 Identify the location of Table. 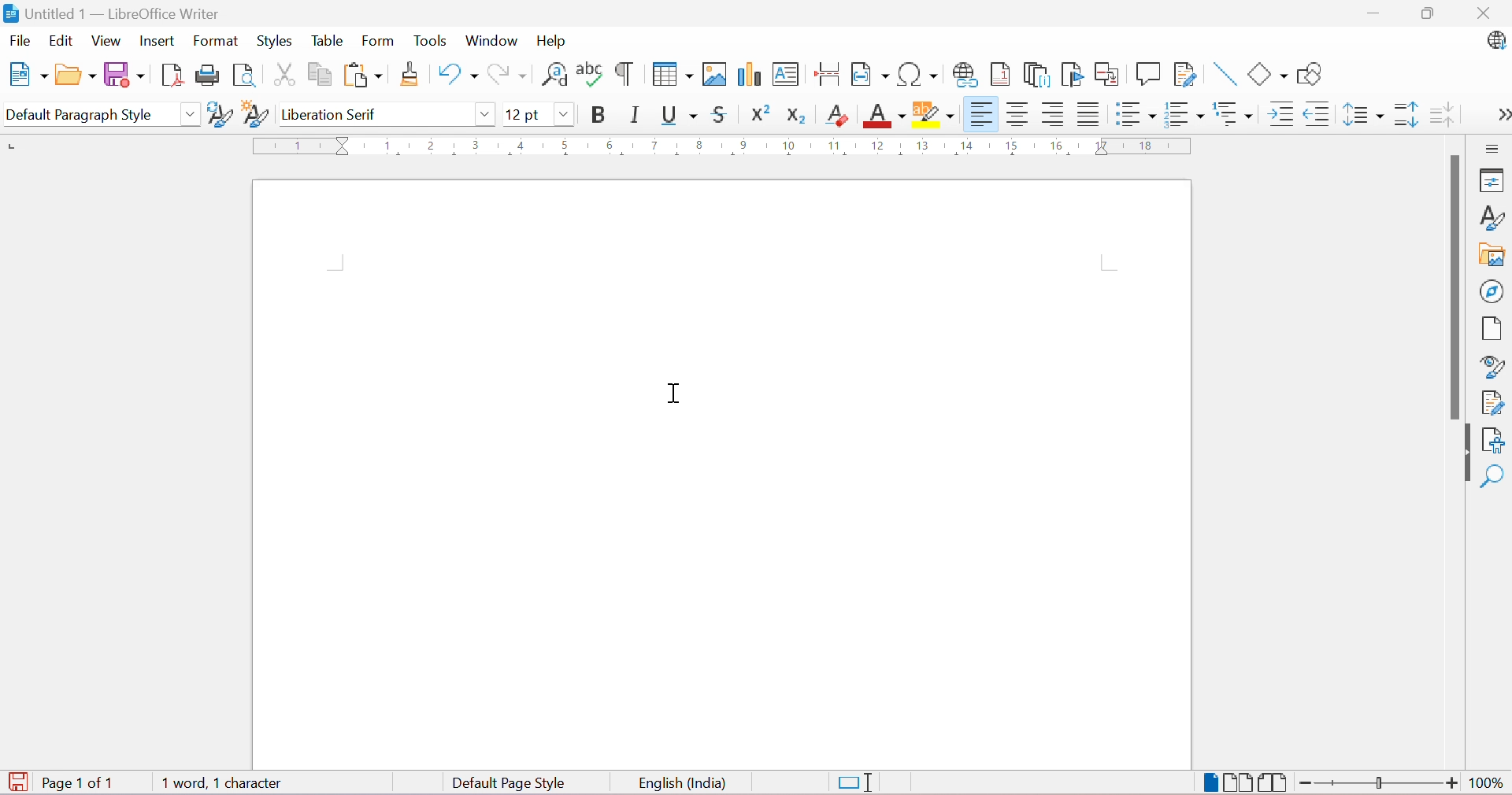
(325, 40).